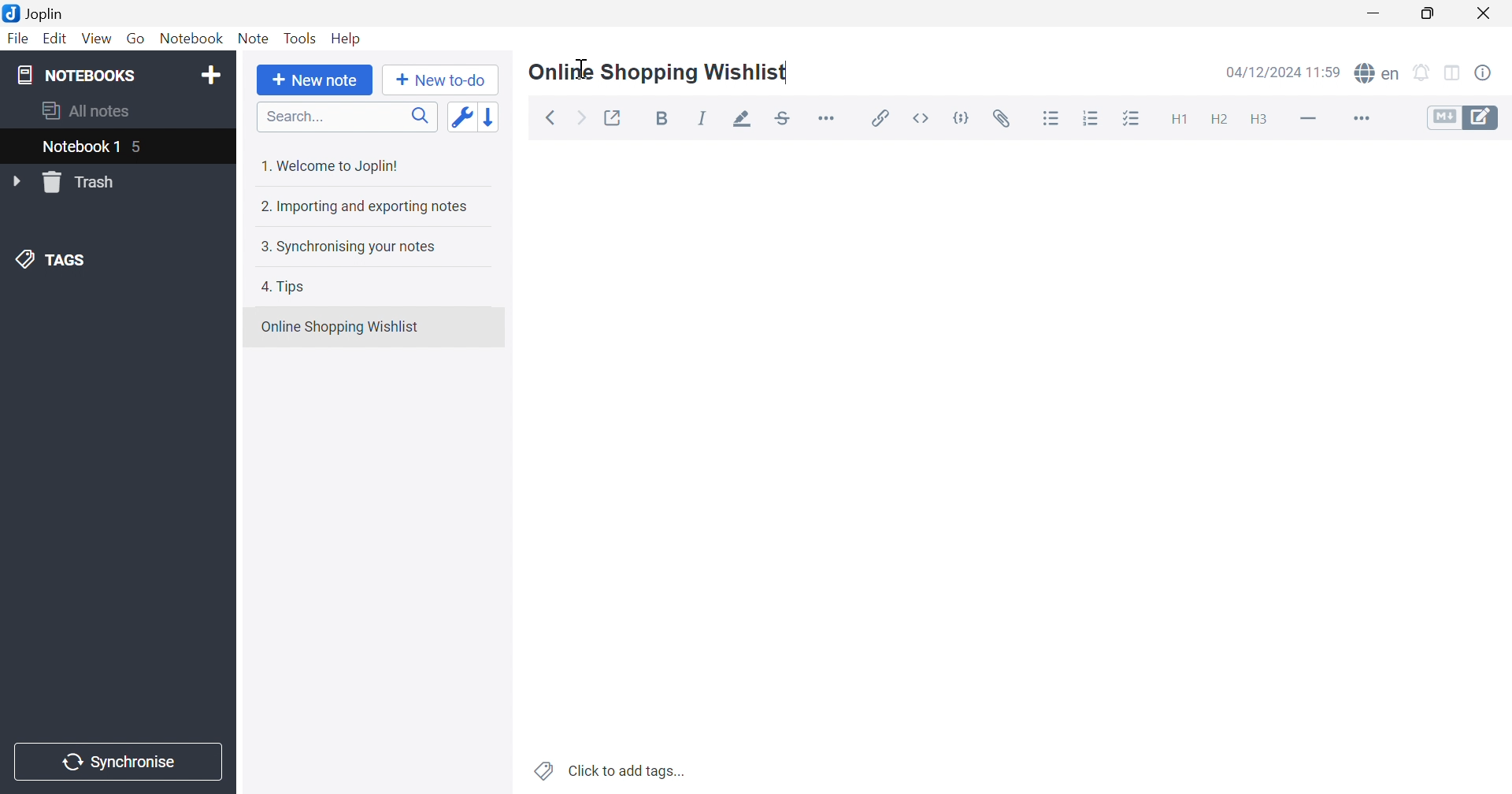 Image resolution: width=1512 pixels, height=794 pixels. I want to click on Spell checker, so click(1378, 73).